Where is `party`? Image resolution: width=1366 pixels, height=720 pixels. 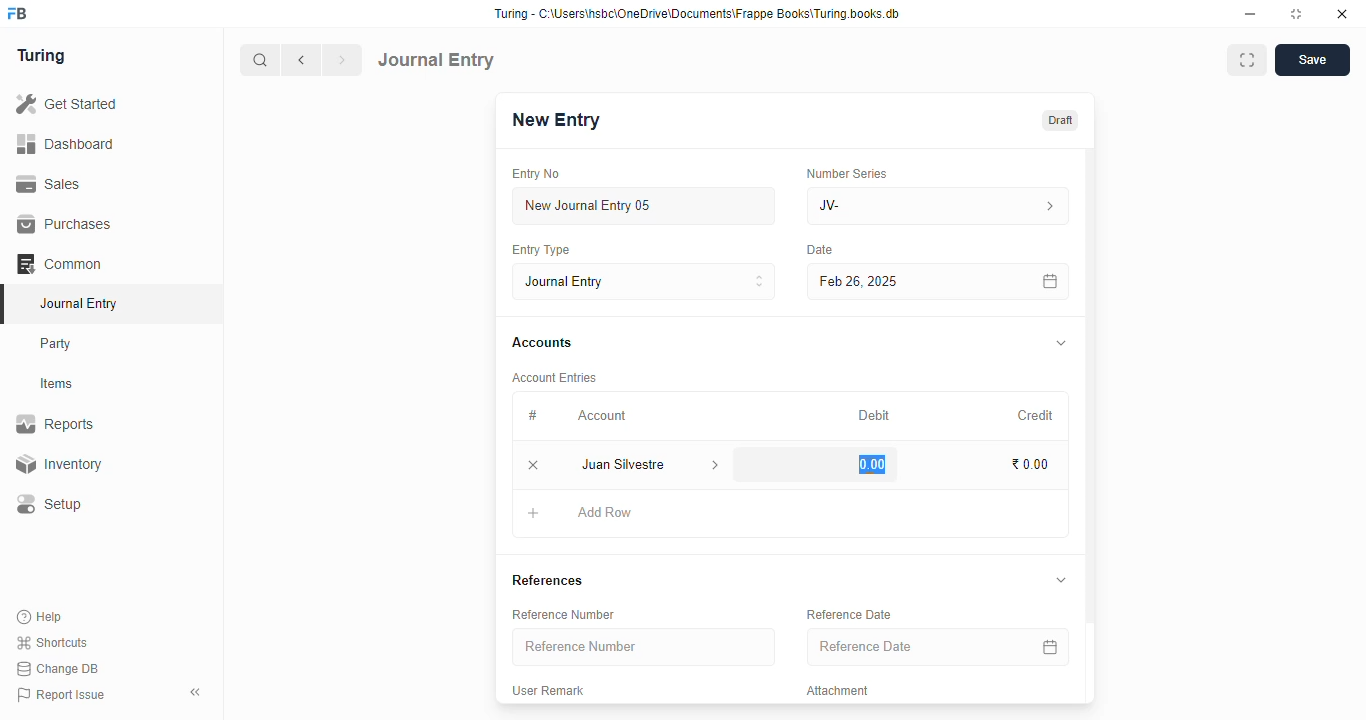 party is located at coordinates (58, 344).